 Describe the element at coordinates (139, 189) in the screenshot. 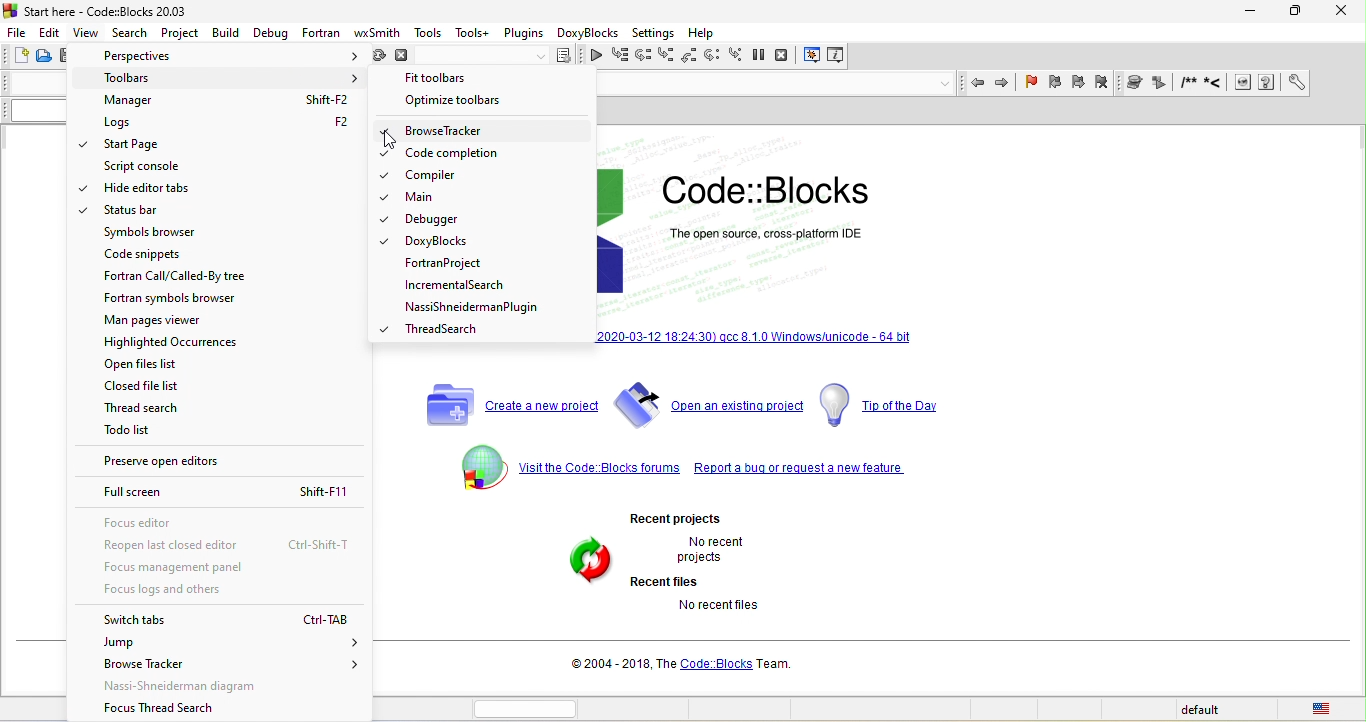

I see `hide editor tabs` at that location.